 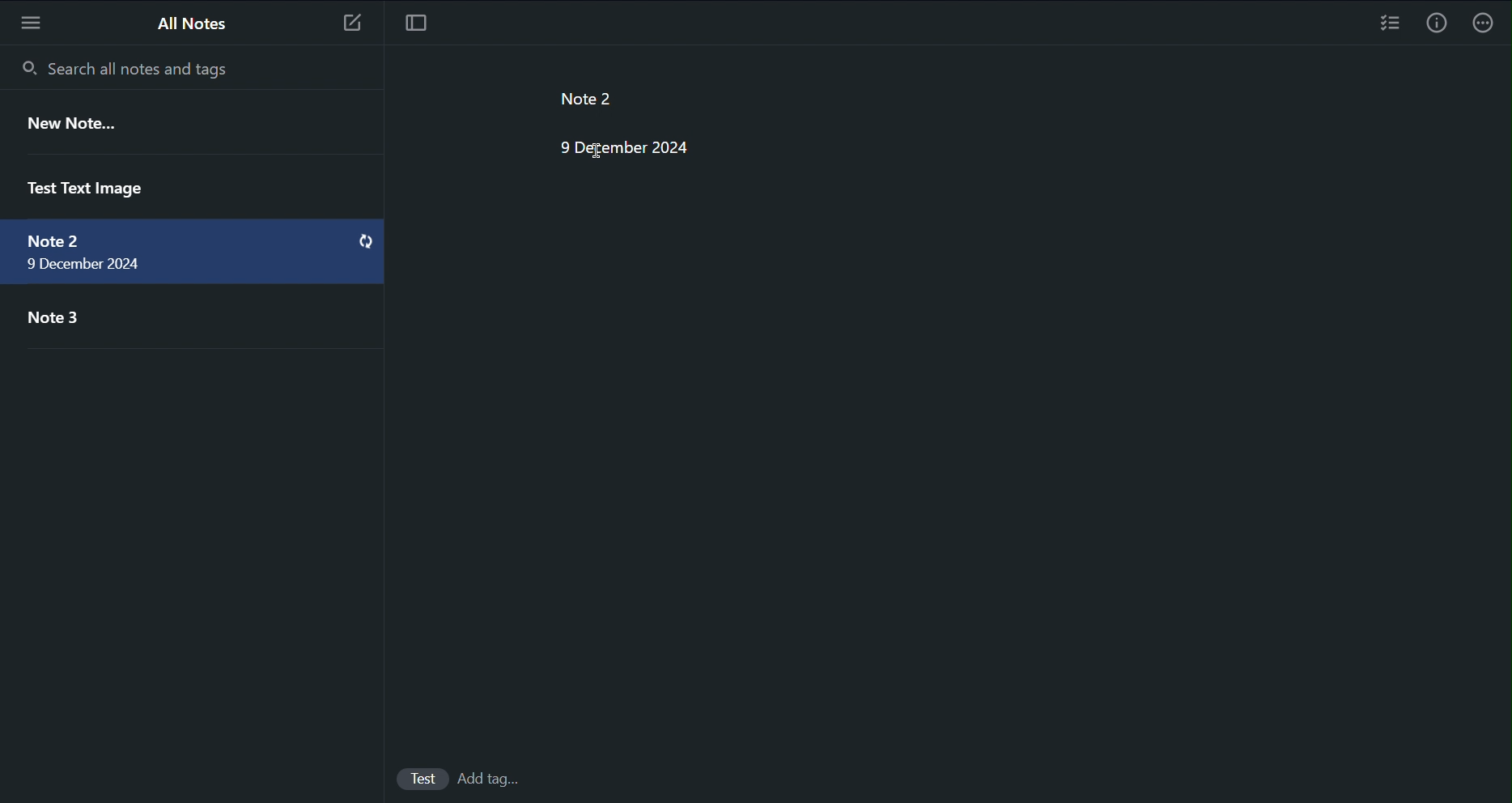 What do you see at coordinates (1437, 22) in the screenshot?
I see `Info` at bounding box center [1437, 22].